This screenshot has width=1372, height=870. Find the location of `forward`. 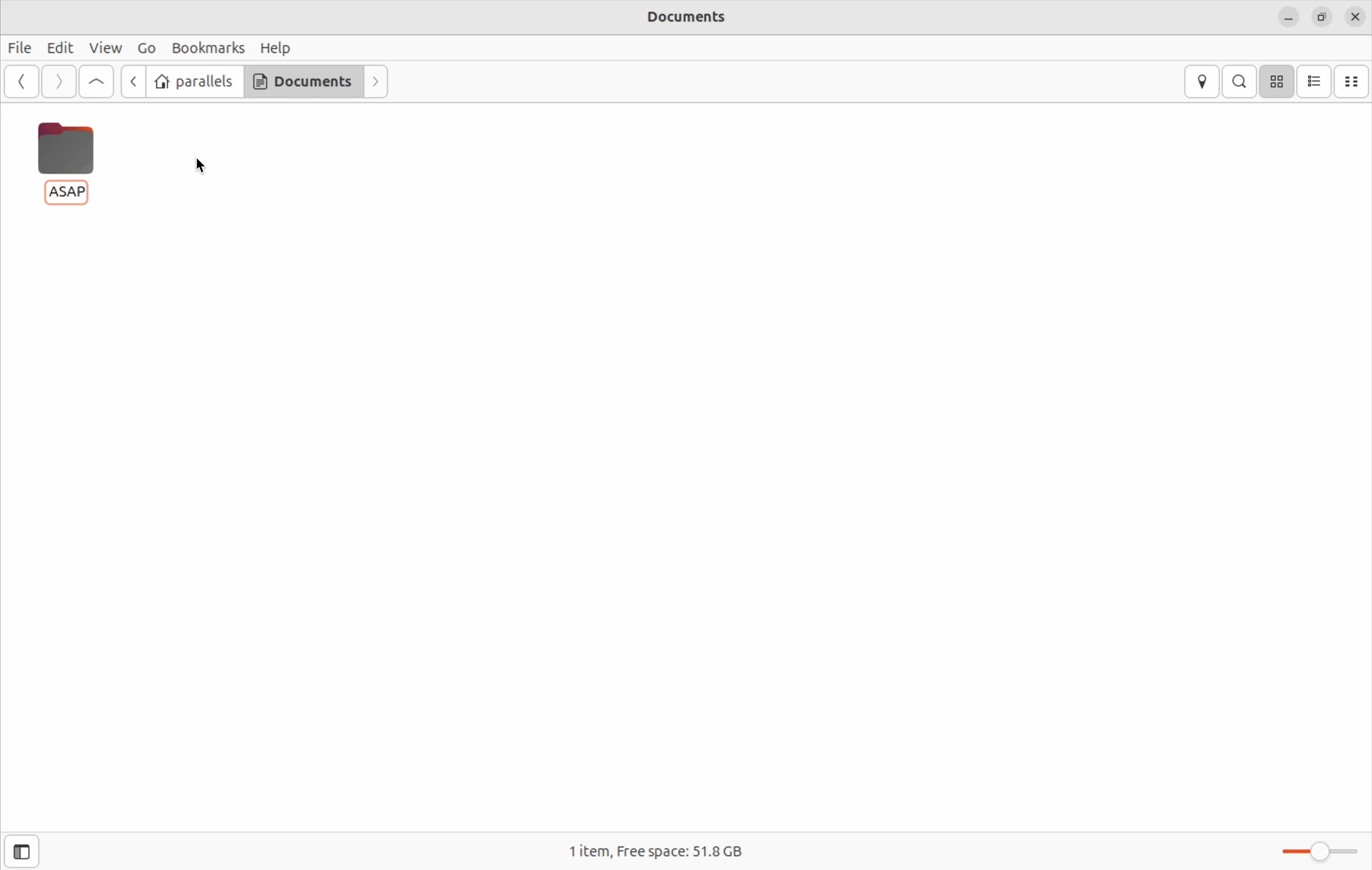

forward is located at coordinates (58, 82).